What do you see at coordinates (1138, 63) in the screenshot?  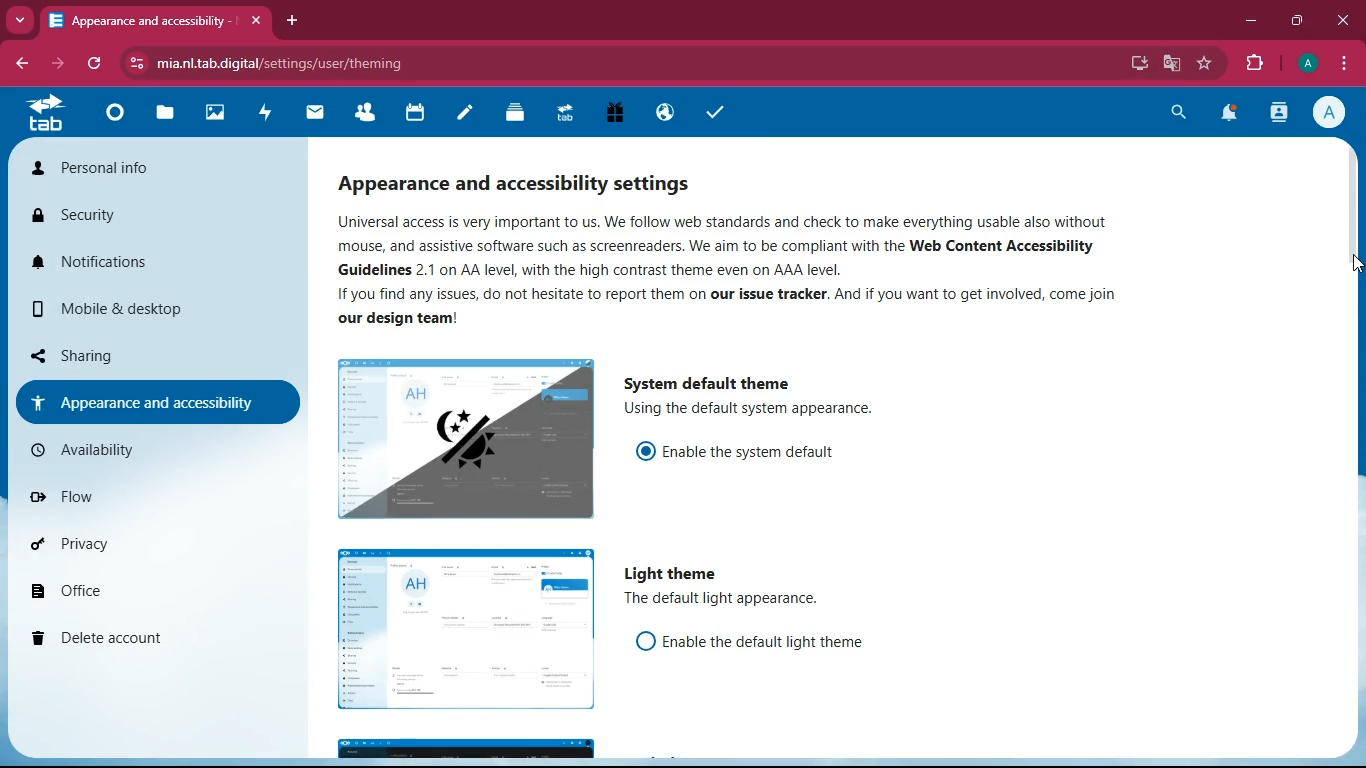 I see `desktop` at bounding box center [1138, 63].